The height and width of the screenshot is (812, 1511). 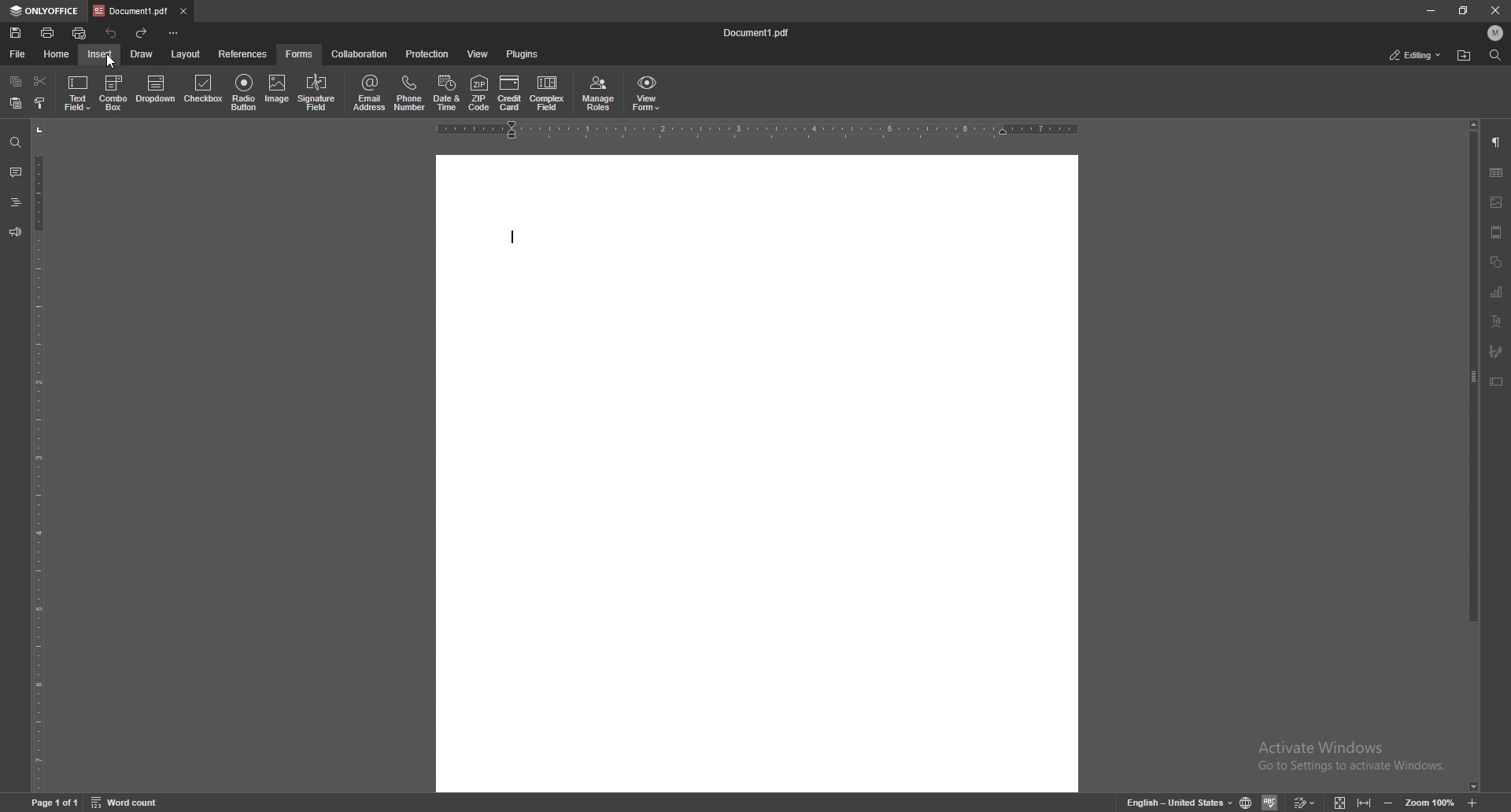 I want to click on zoom out, so click(x=1388, y=803).